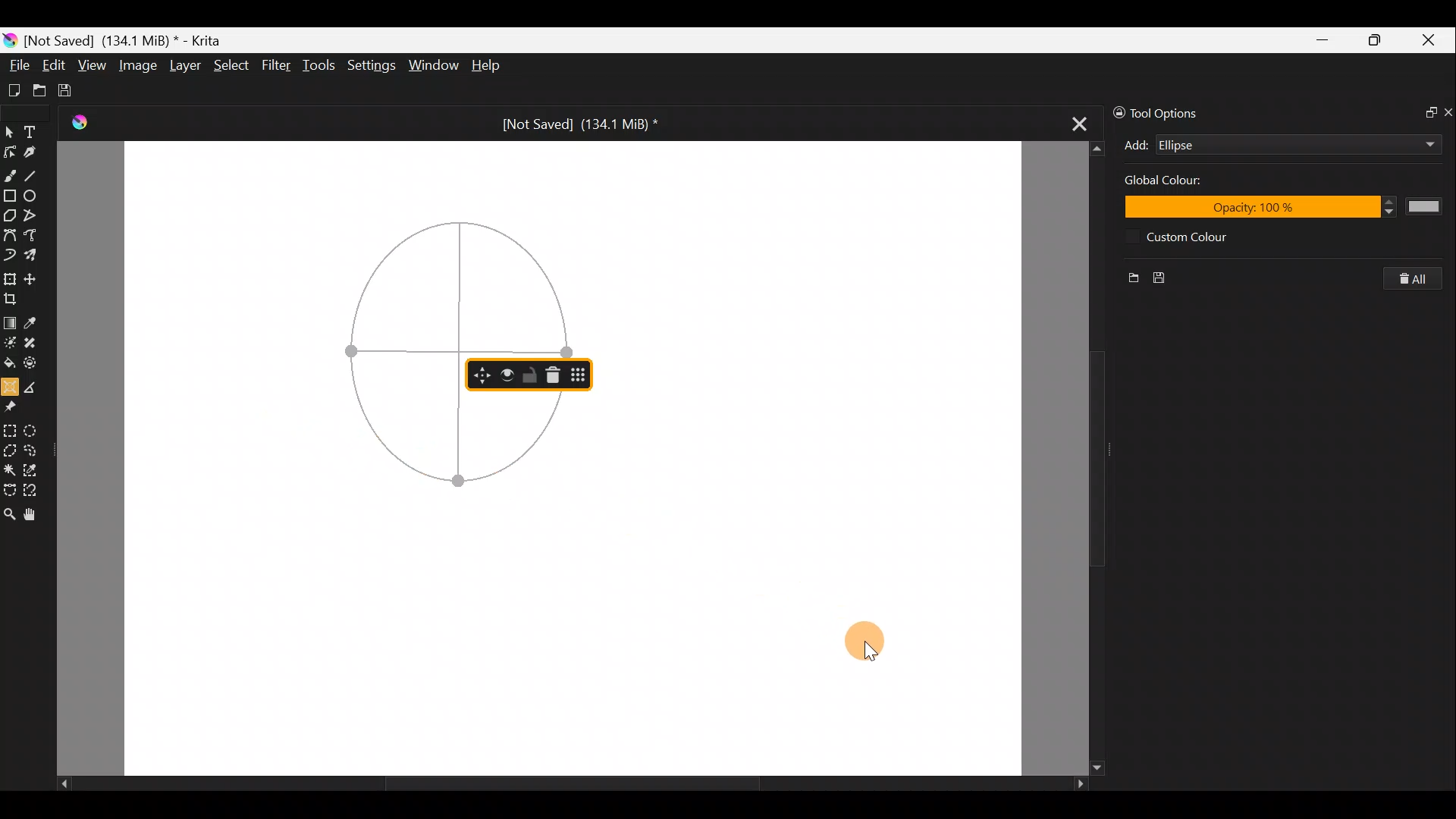  I want to click on Help, so click(487, 66).